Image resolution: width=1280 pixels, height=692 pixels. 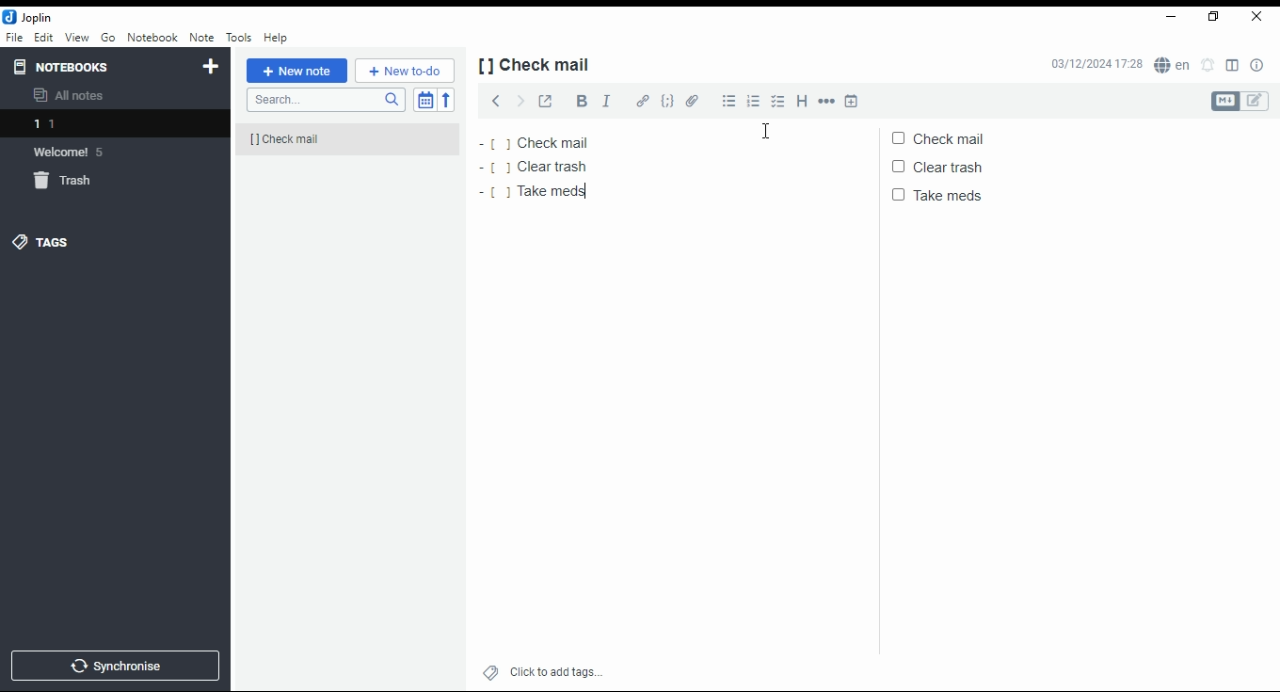 What do you see at coordinates (276, 37) in the screenshot?
I see `help` at bounding box center [276, 37].